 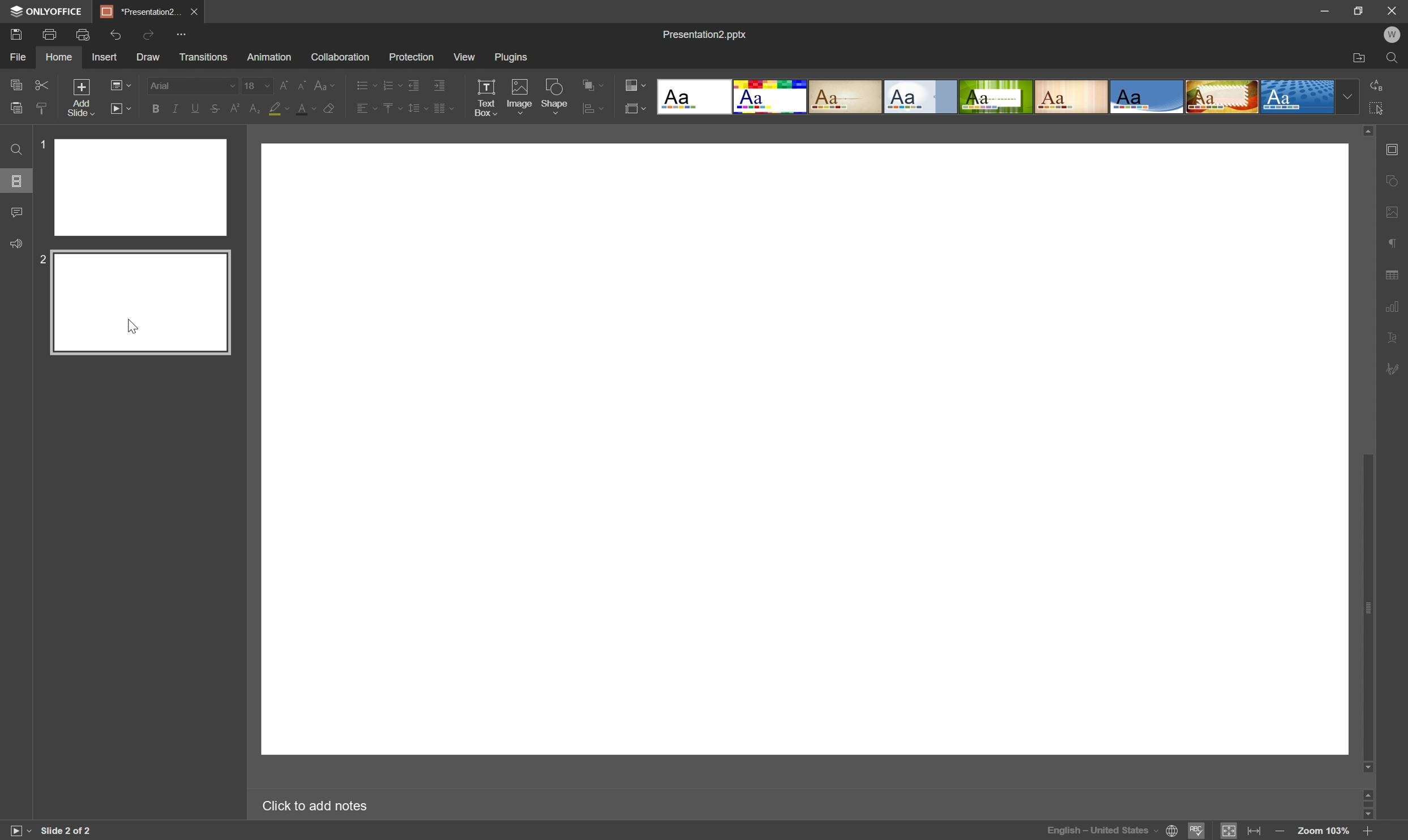 What do you see at coordinates (557, 96) in the screenshot?
I see `Shape` at bounding box center [557, 96].